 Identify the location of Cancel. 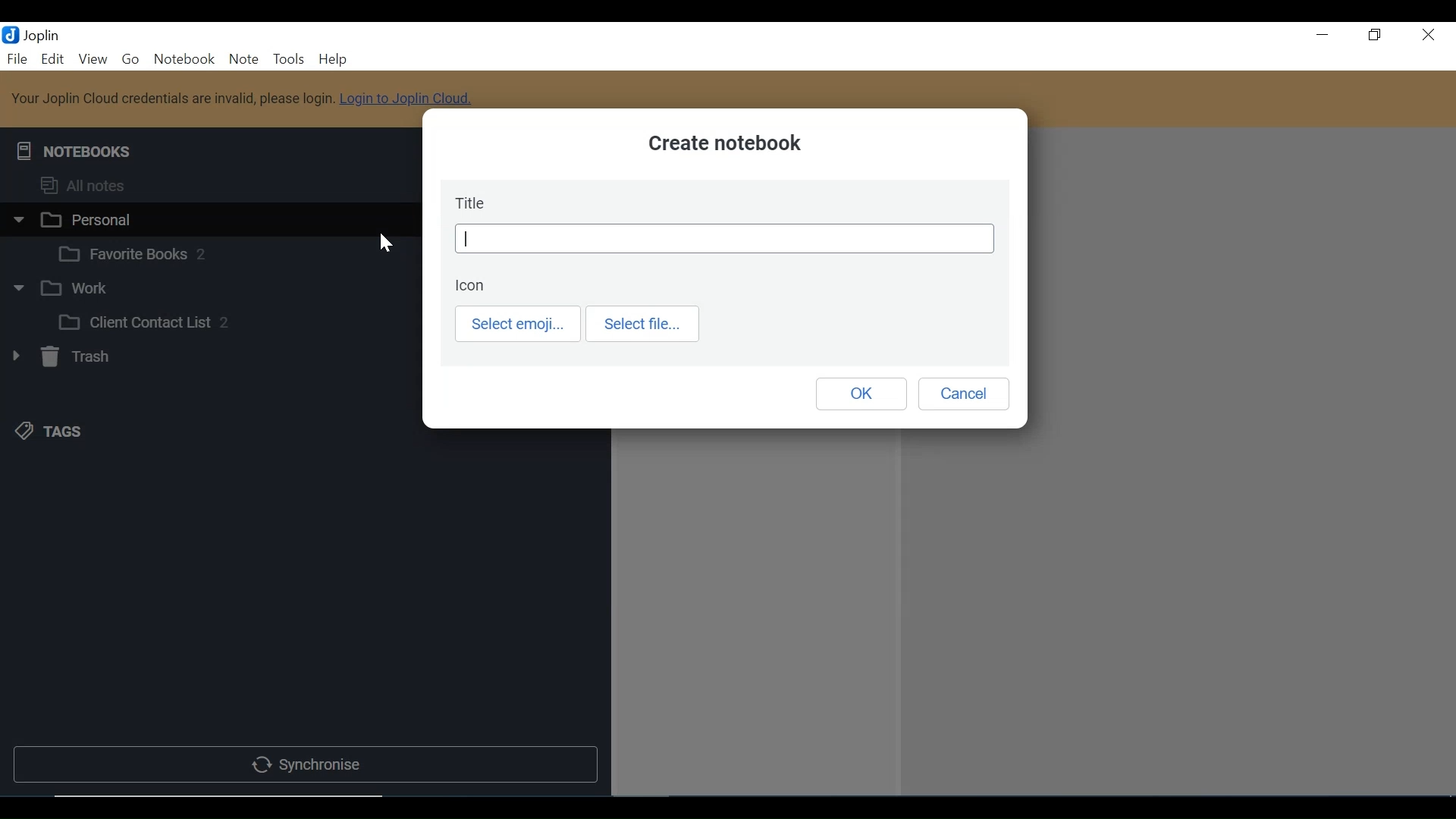
(961, 394).